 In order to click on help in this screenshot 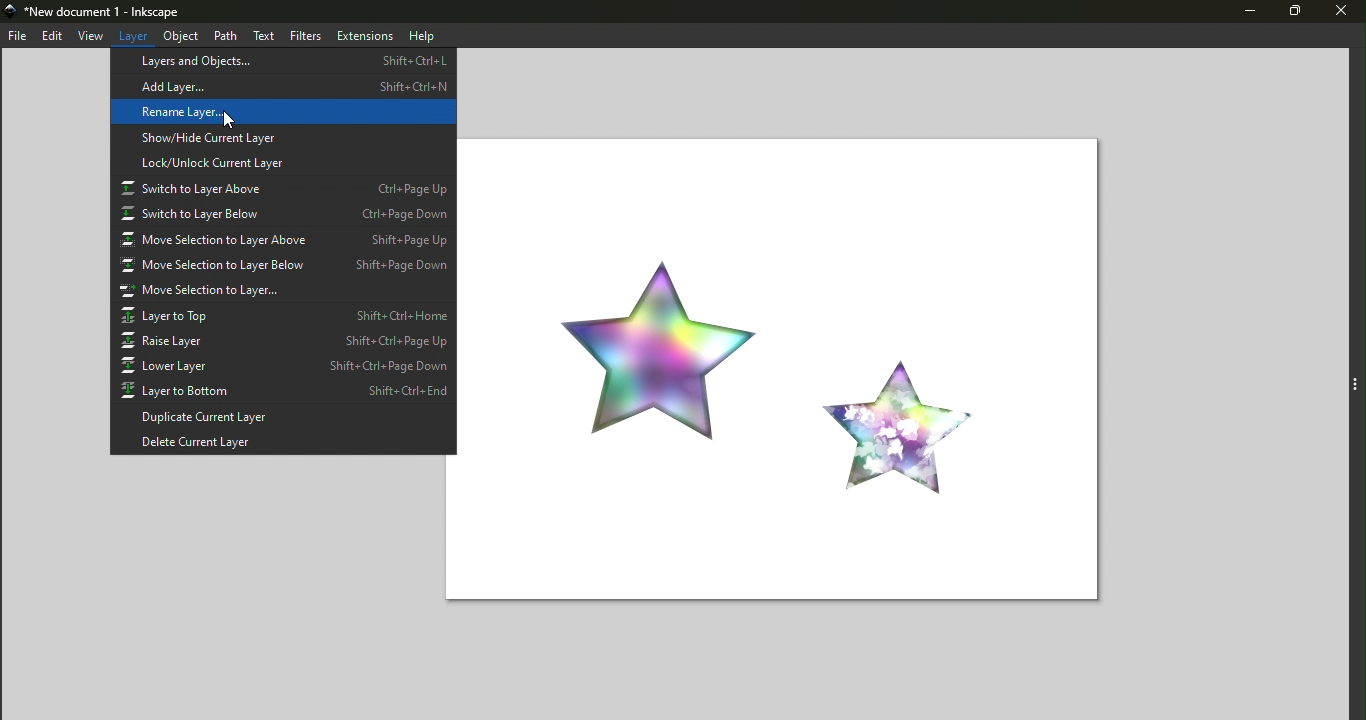, I will do `click(419, 34)`.